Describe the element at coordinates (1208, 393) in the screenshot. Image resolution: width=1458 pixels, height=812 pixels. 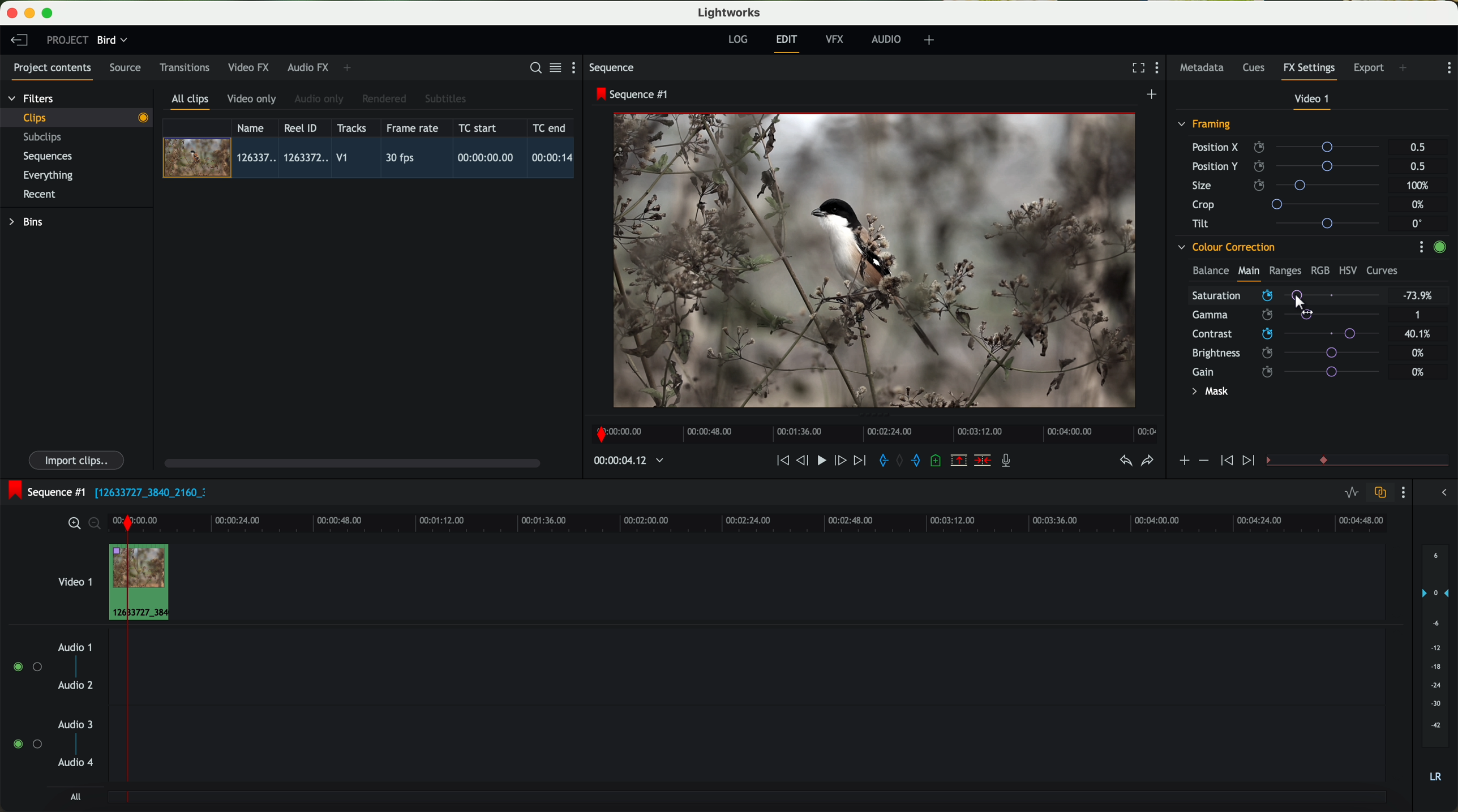
I see `mask` at that location.